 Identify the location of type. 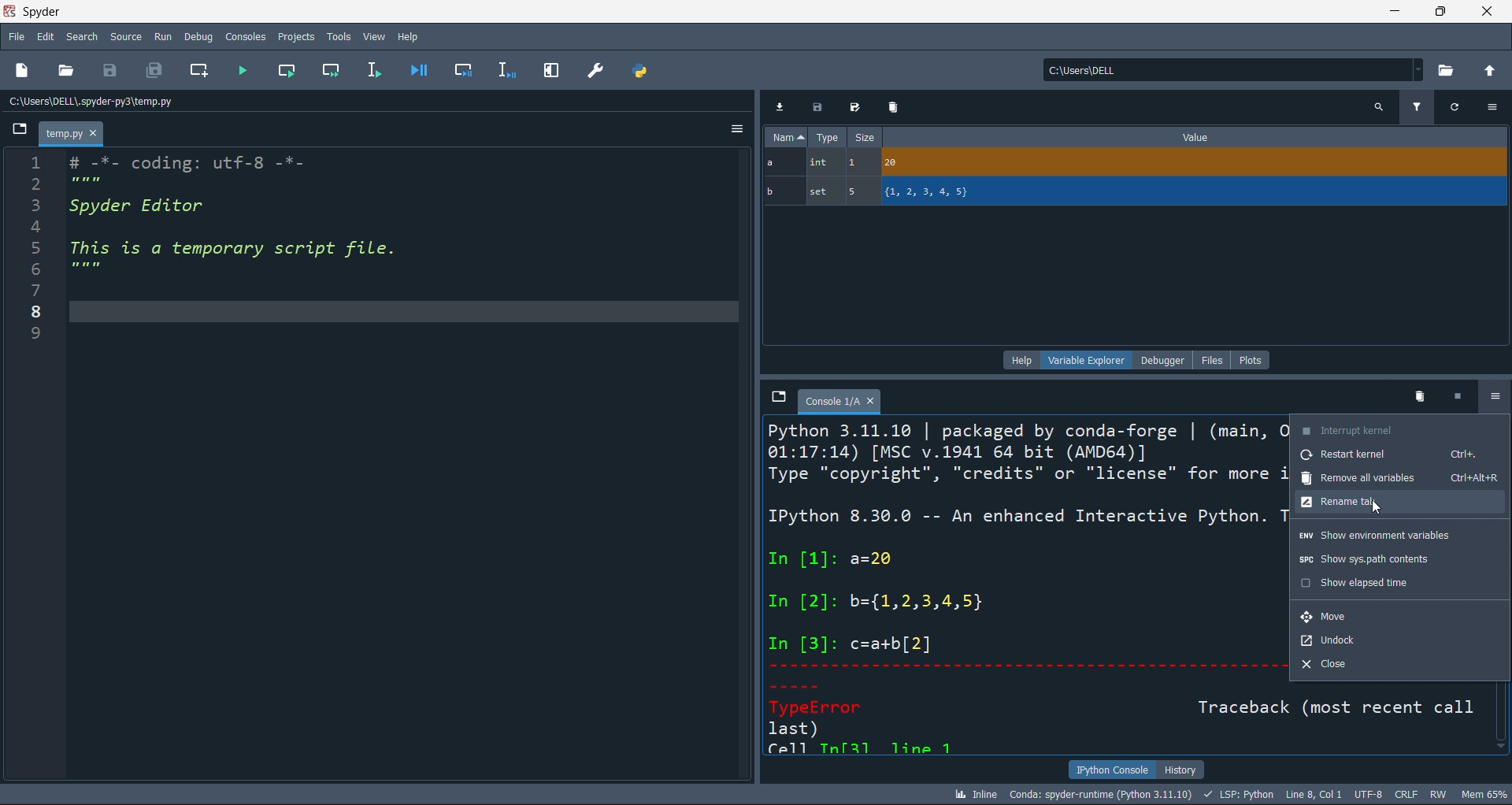
(828, 139).